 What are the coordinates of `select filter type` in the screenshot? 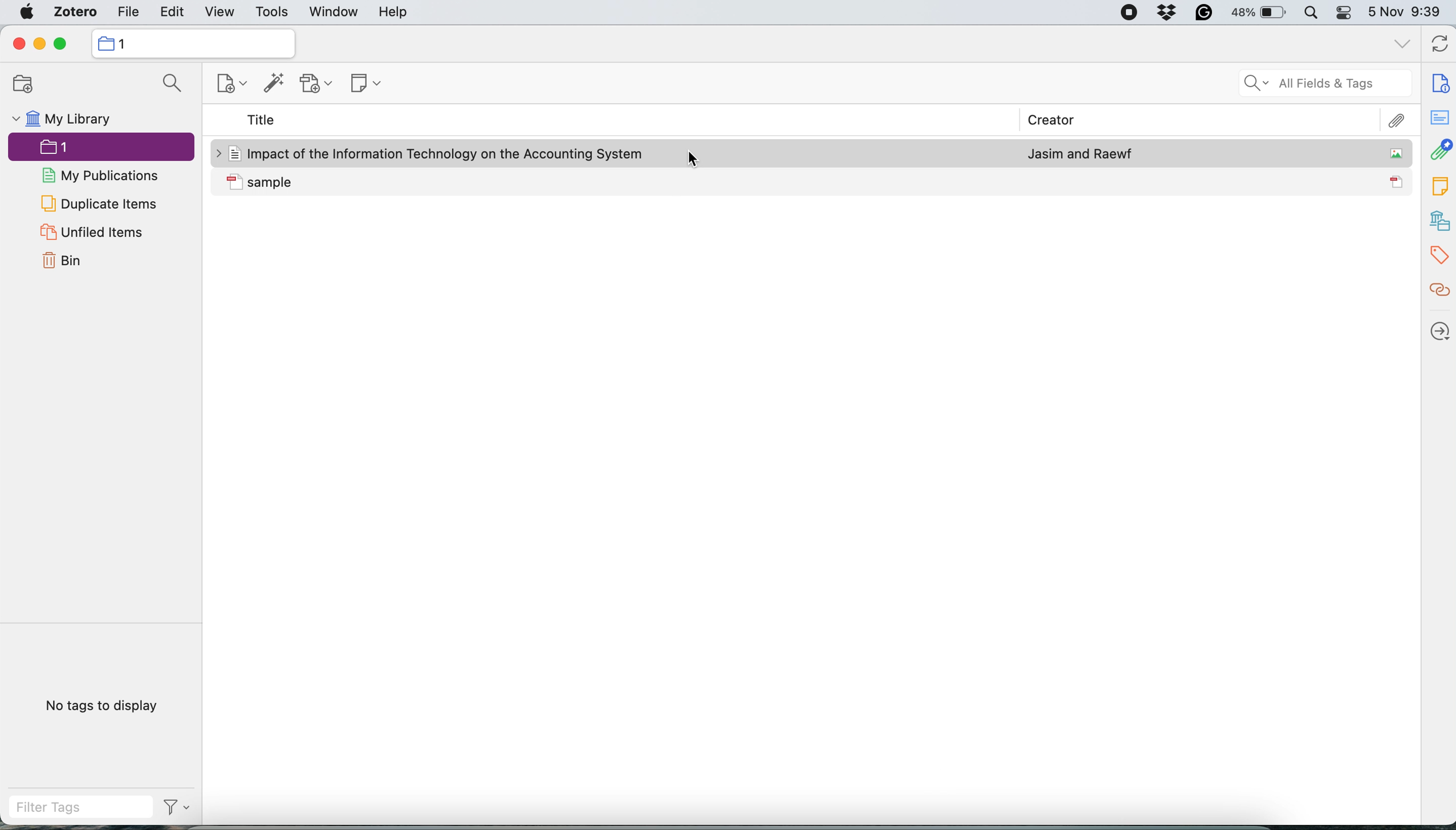 It's located at (178, 809).